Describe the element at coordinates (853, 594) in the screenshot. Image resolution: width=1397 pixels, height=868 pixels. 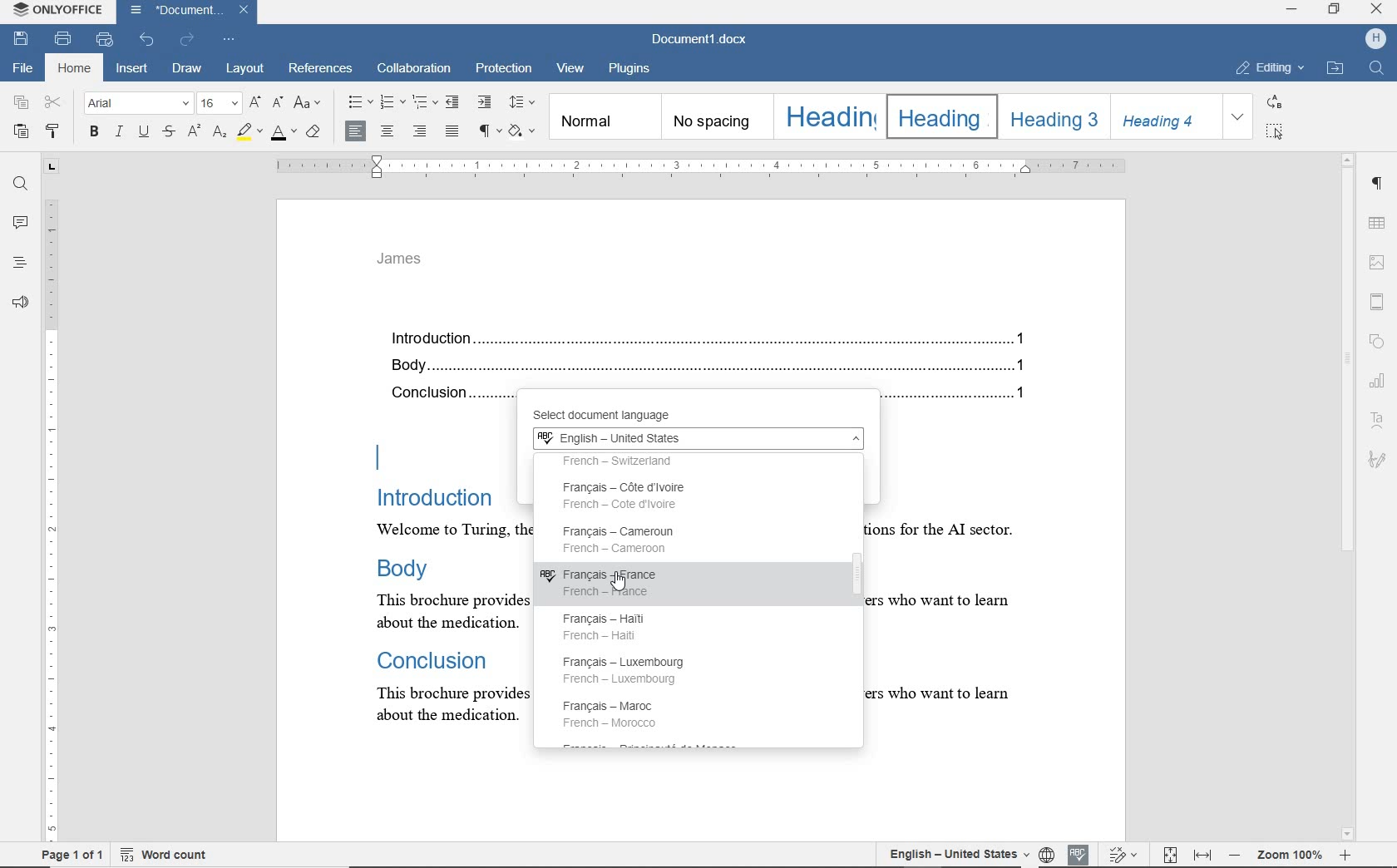
I see `scrollbar` at that location.